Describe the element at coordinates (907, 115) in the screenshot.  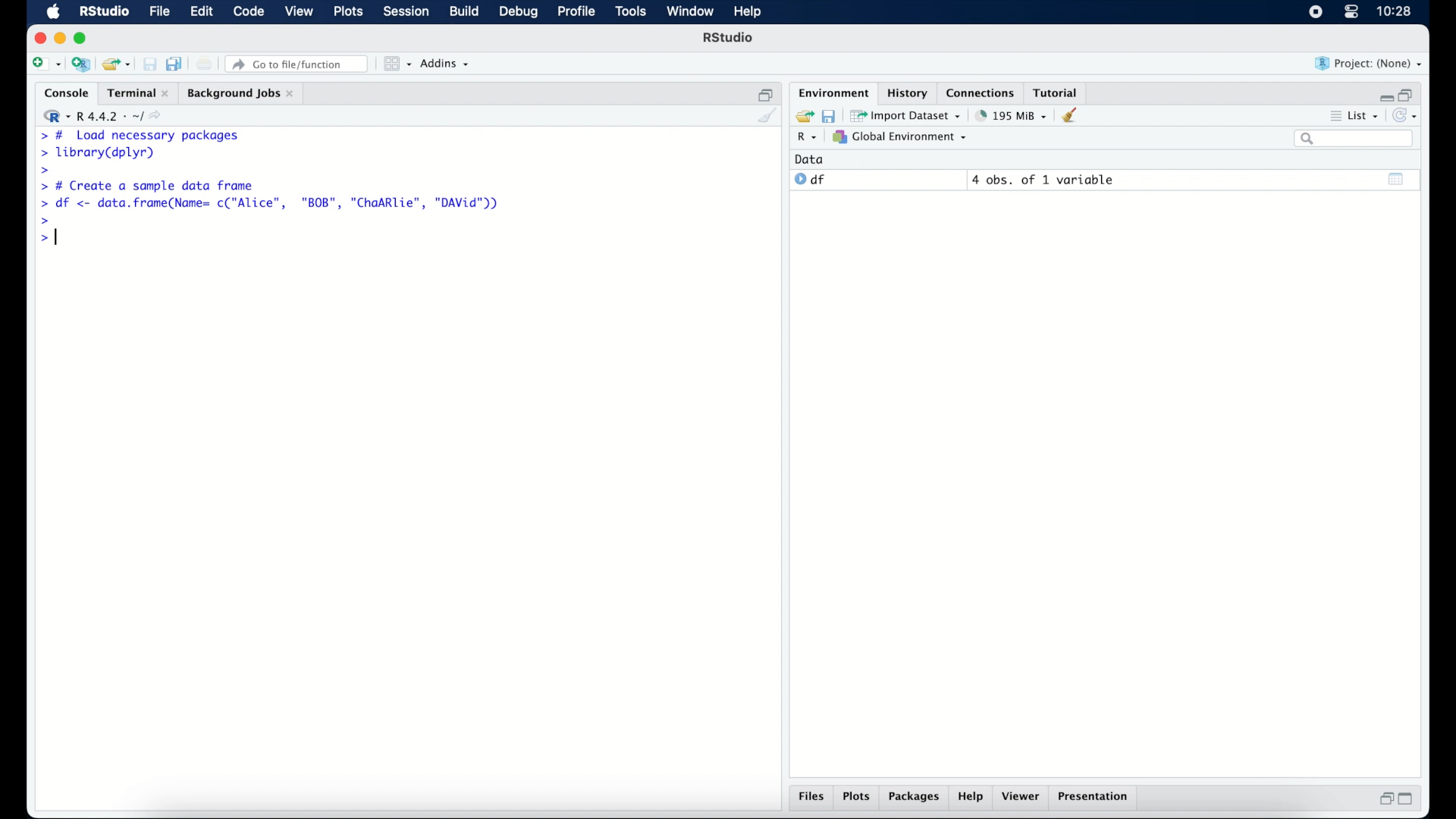
I see `import dataset` at that location.